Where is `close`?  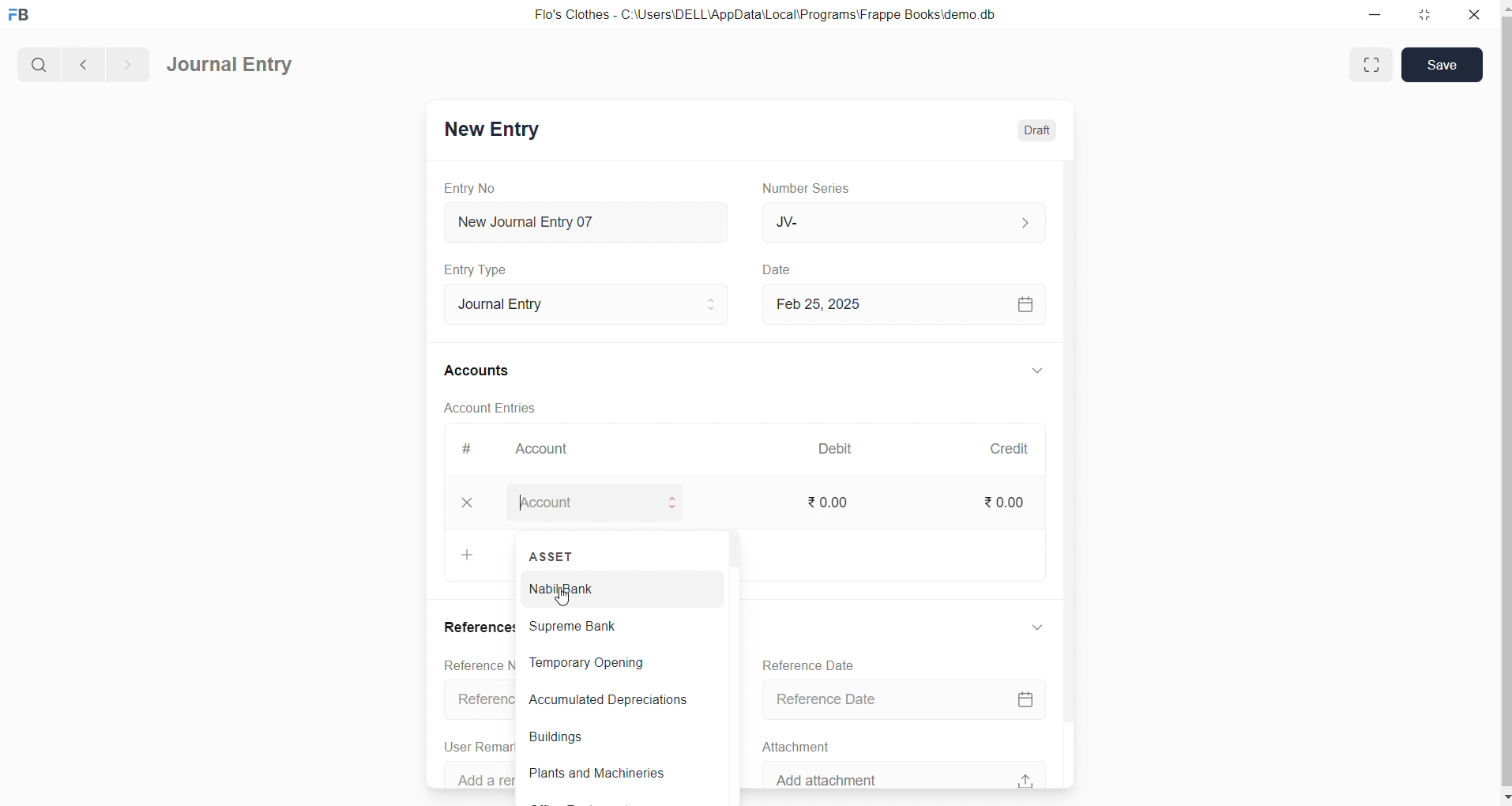
close is located at coordinates (1474, 16).